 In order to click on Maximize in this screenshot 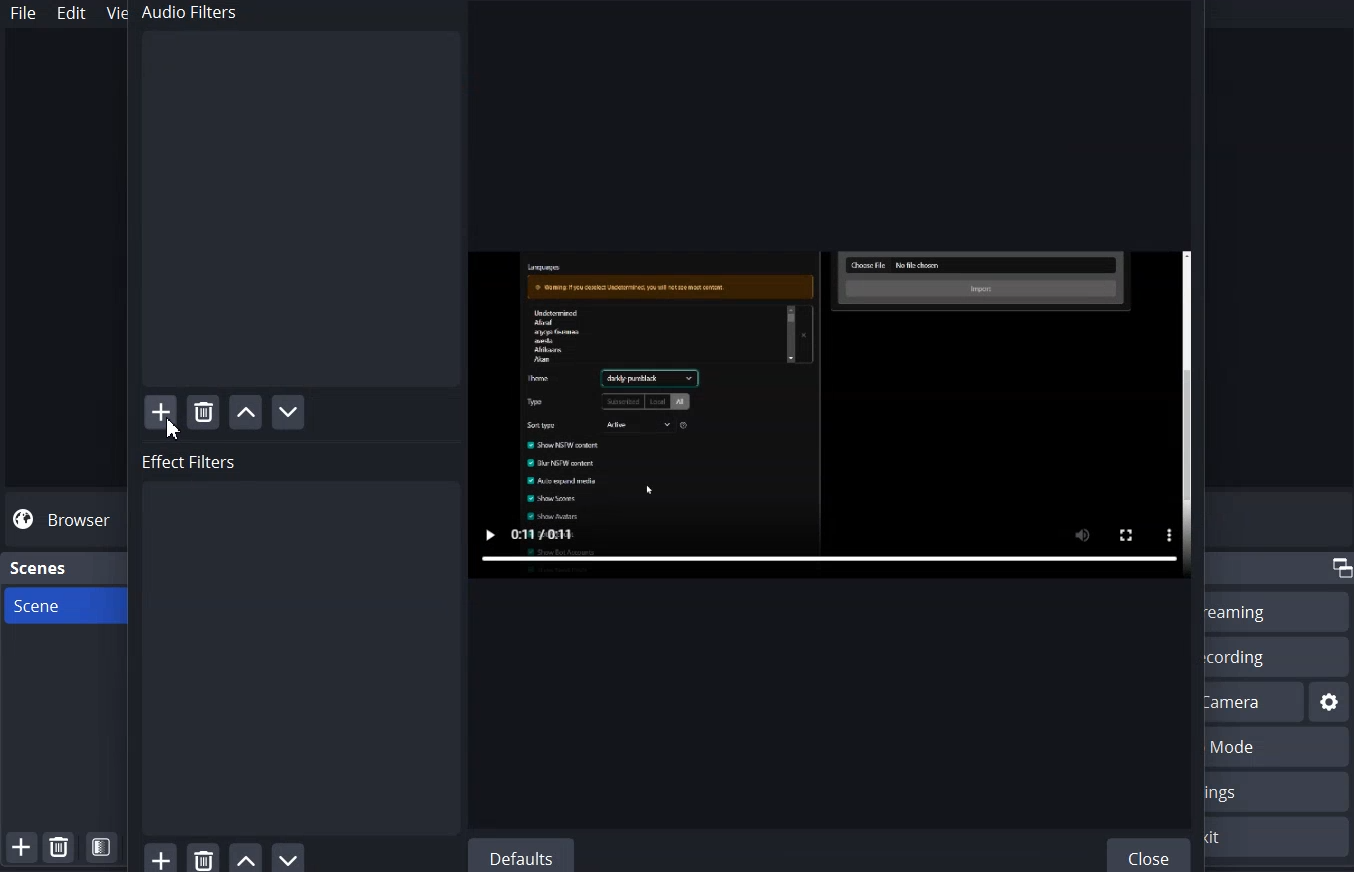, I will do `click(1340, 568)`.